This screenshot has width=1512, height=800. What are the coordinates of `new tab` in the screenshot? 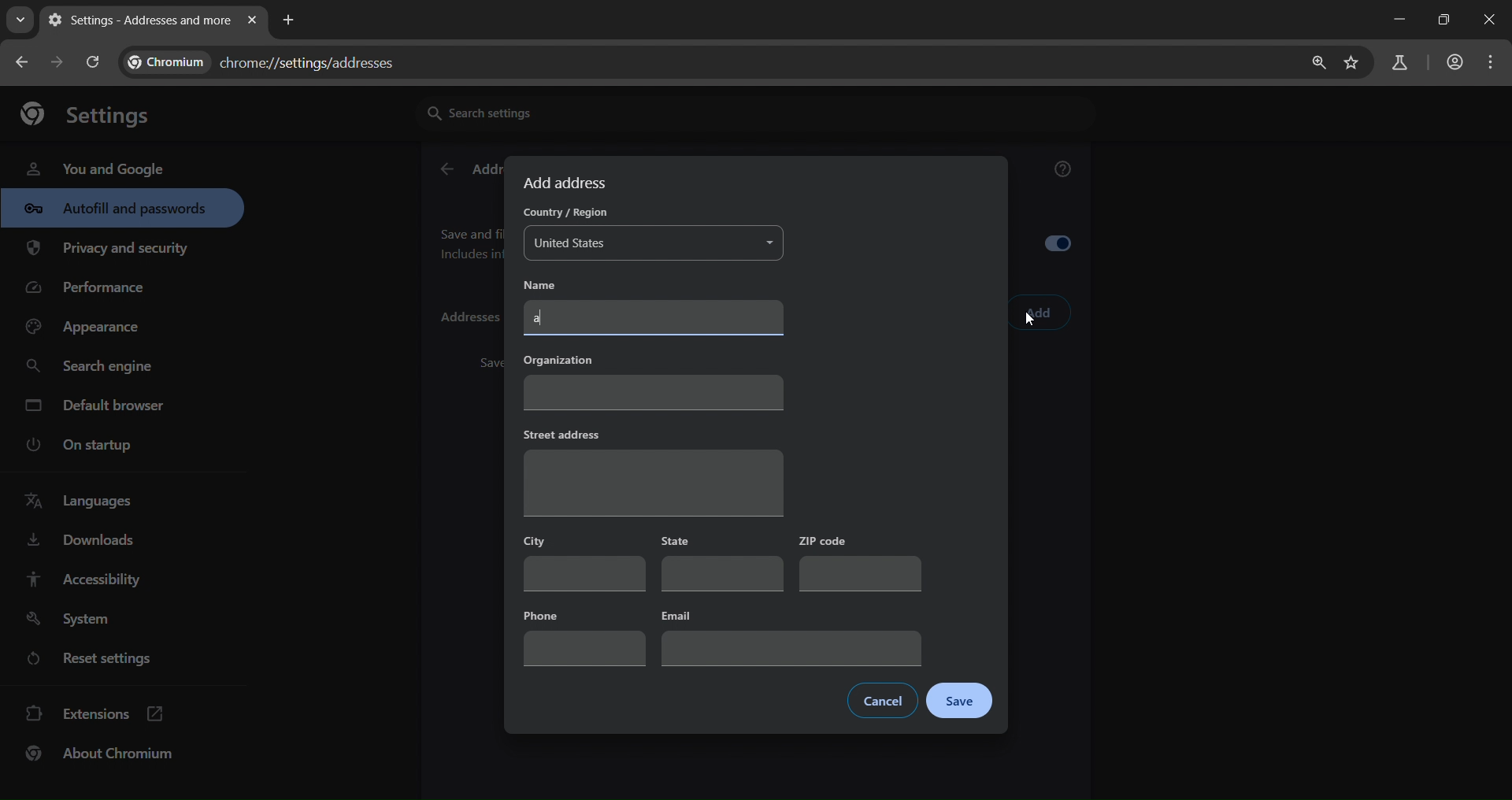 It's located at (289, 18).